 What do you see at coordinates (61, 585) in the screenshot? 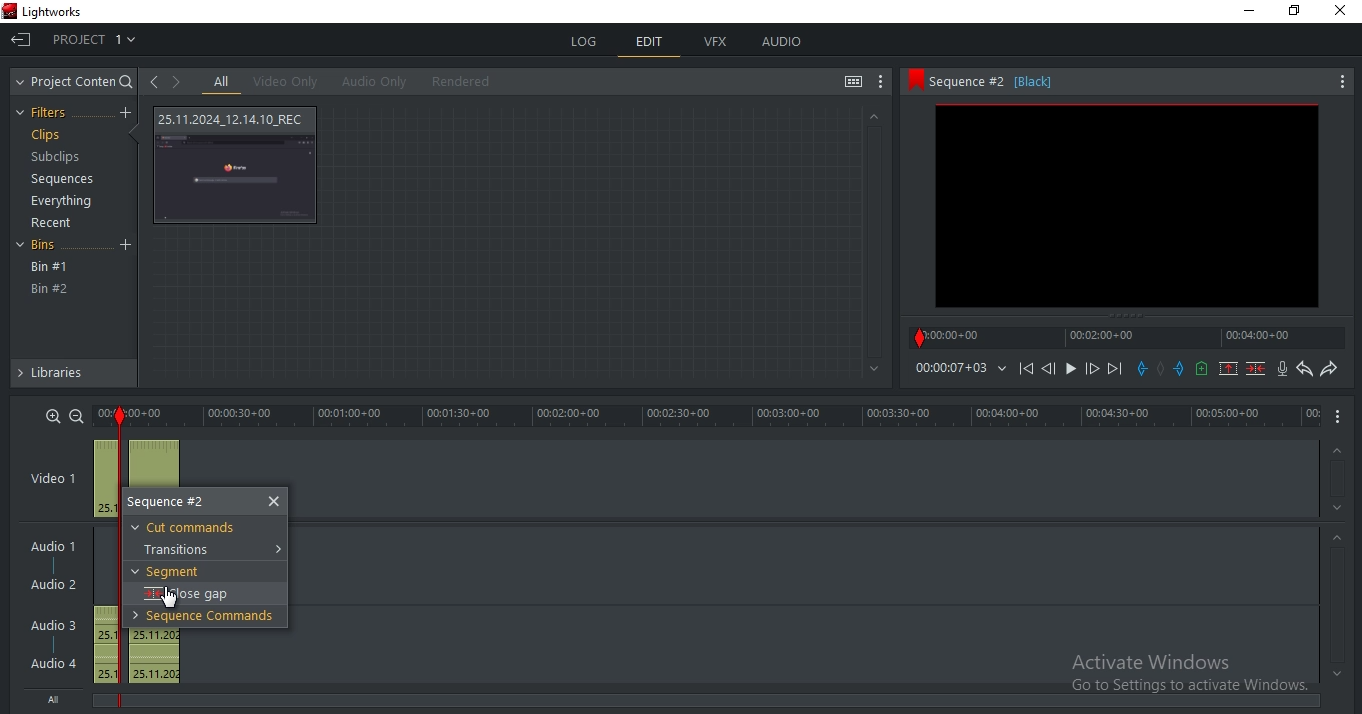
I see `Audio 2` at bounding box center [61, 585].